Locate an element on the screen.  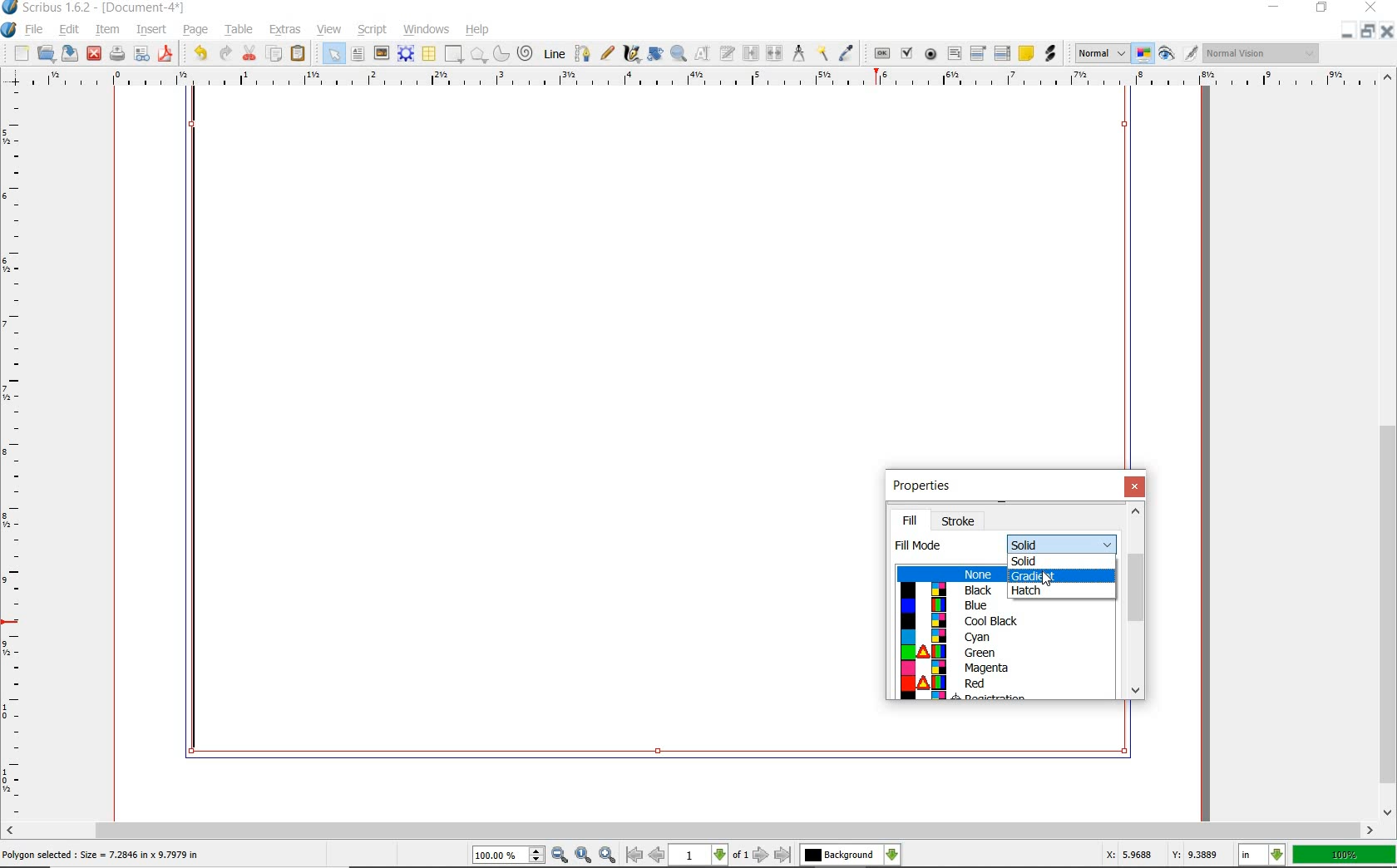
go to previous page is located at coordinates (658, 856).